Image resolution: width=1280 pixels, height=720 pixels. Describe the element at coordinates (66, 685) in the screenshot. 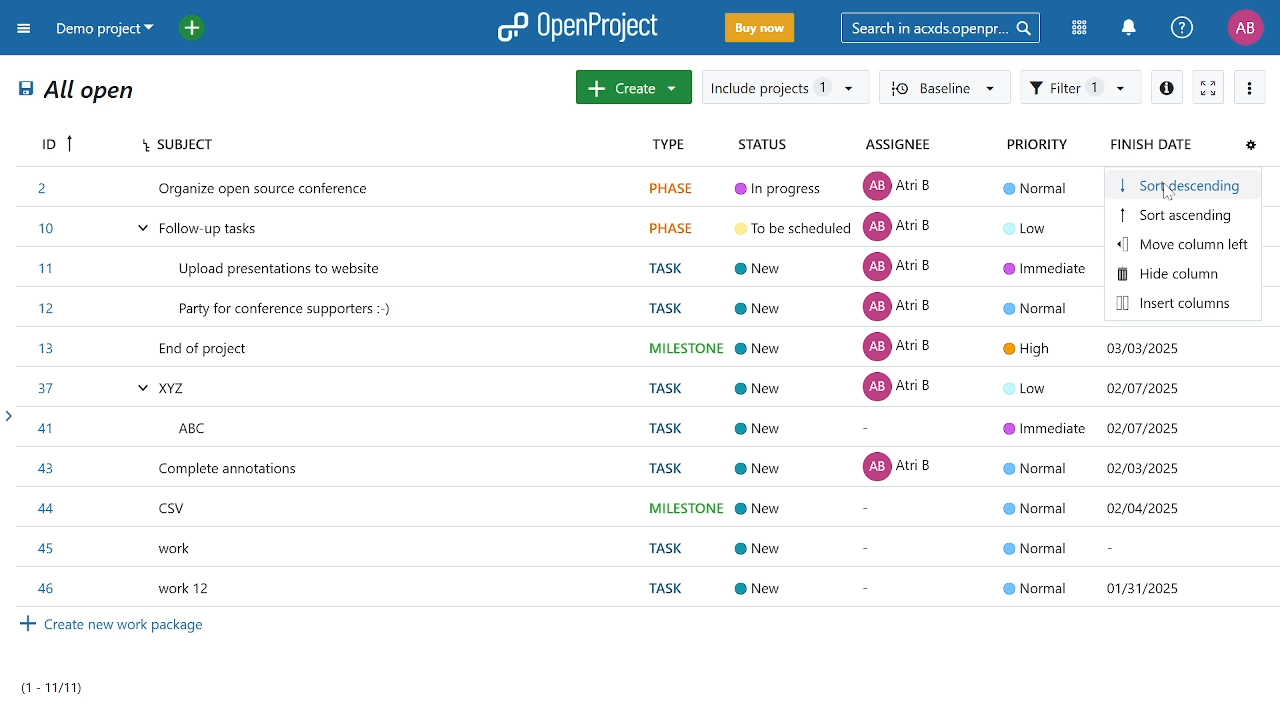

I see `task count` at that location.